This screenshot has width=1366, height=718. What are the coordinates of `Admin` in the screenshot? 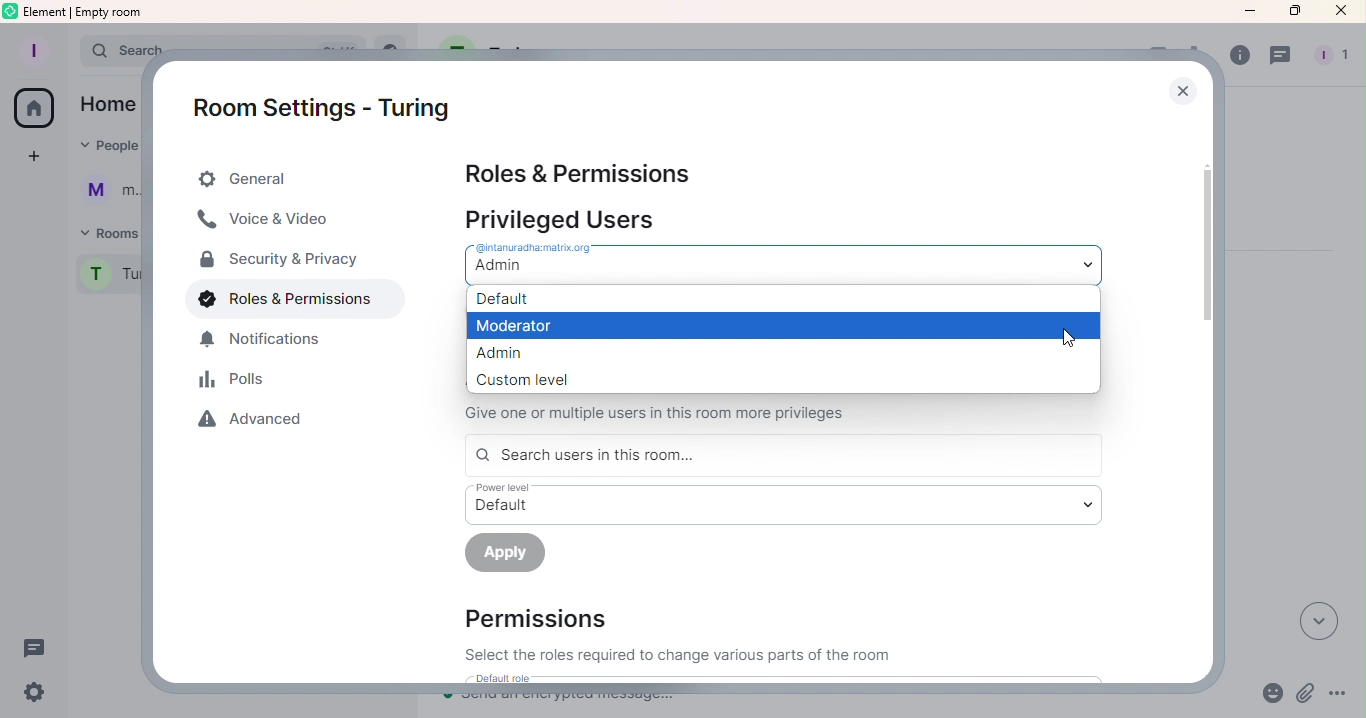 It's located at (755, 352).